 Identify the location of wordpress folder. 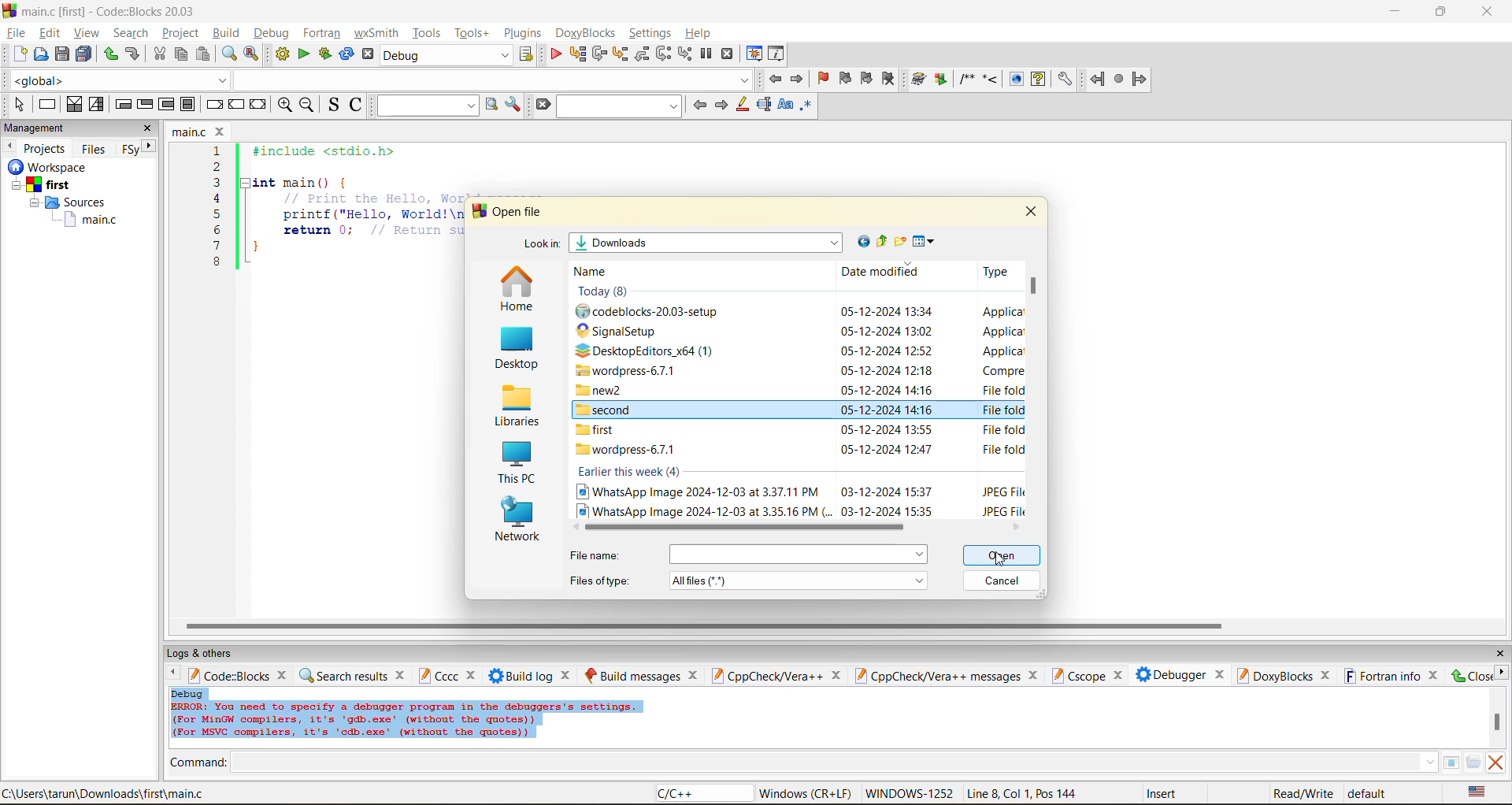
(633, 370).